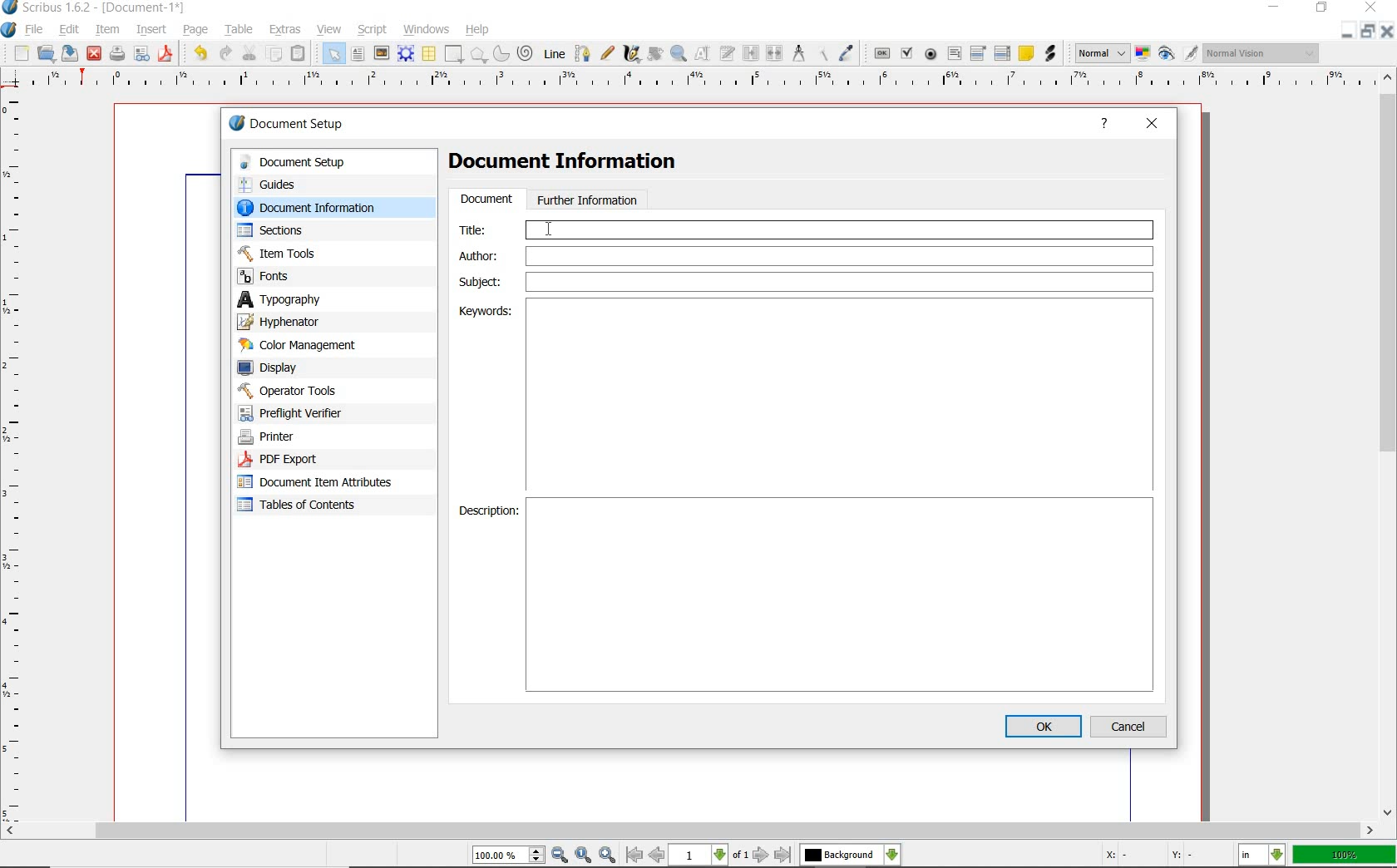 The image size is (1397, 868). Describe the element at coordinates (323, 207) in the screenshot. I see `document information` at that location.